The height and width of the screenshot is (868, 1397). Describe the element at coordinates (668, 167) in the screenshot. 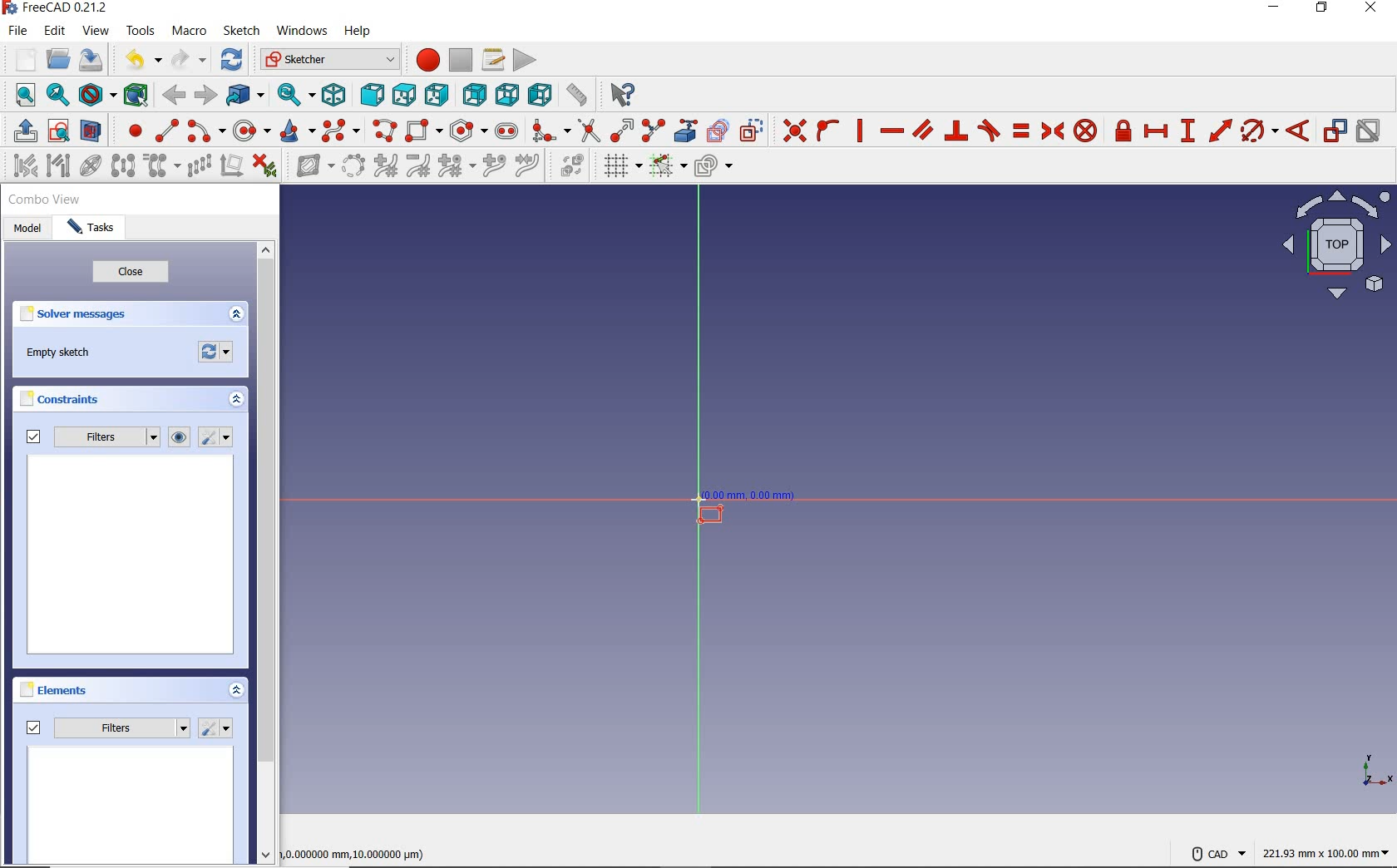

I see `toggle snap` at that location.